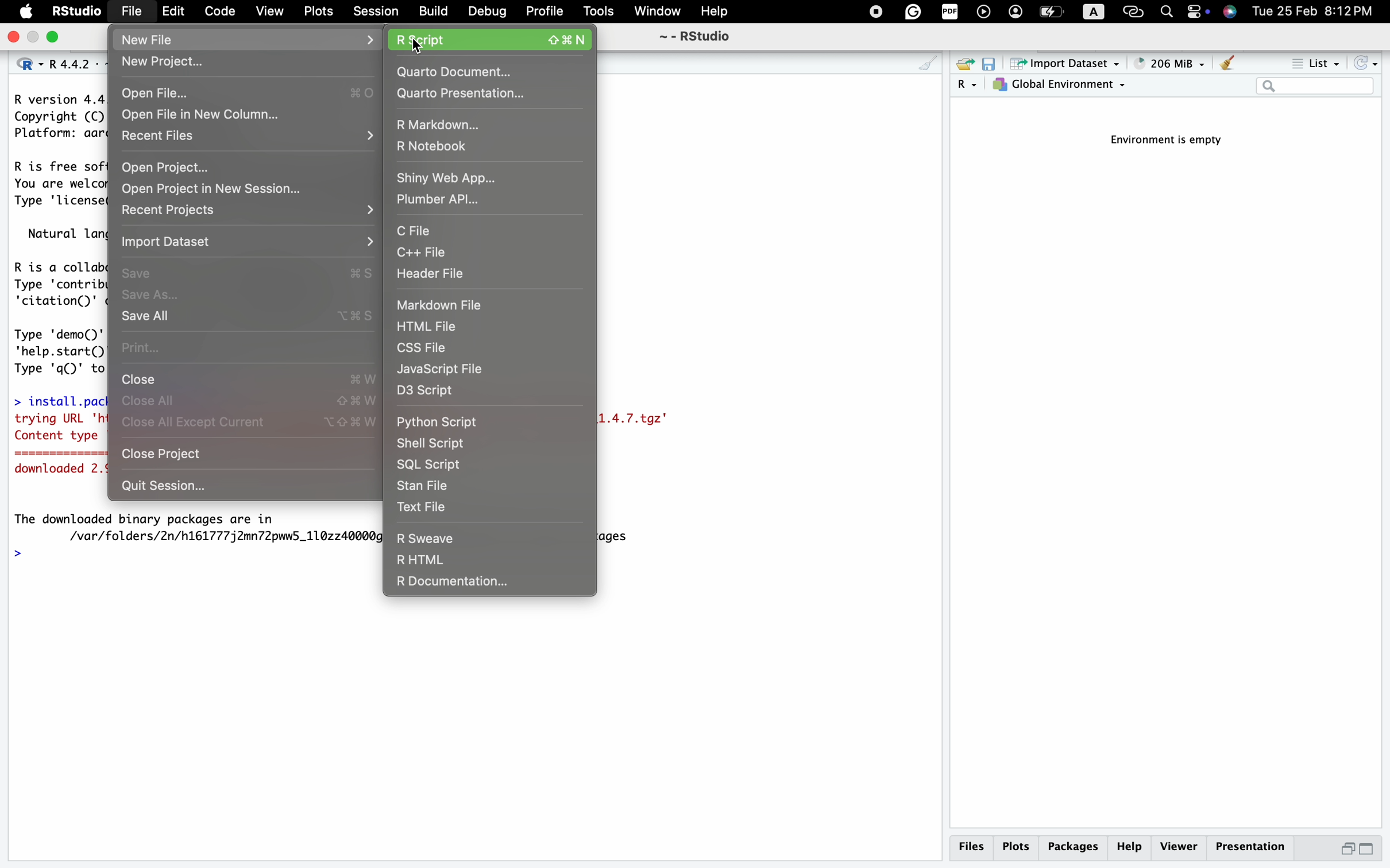 This screenshot has height=868, width=1390. I want to click on siri, so click(1231, 13).